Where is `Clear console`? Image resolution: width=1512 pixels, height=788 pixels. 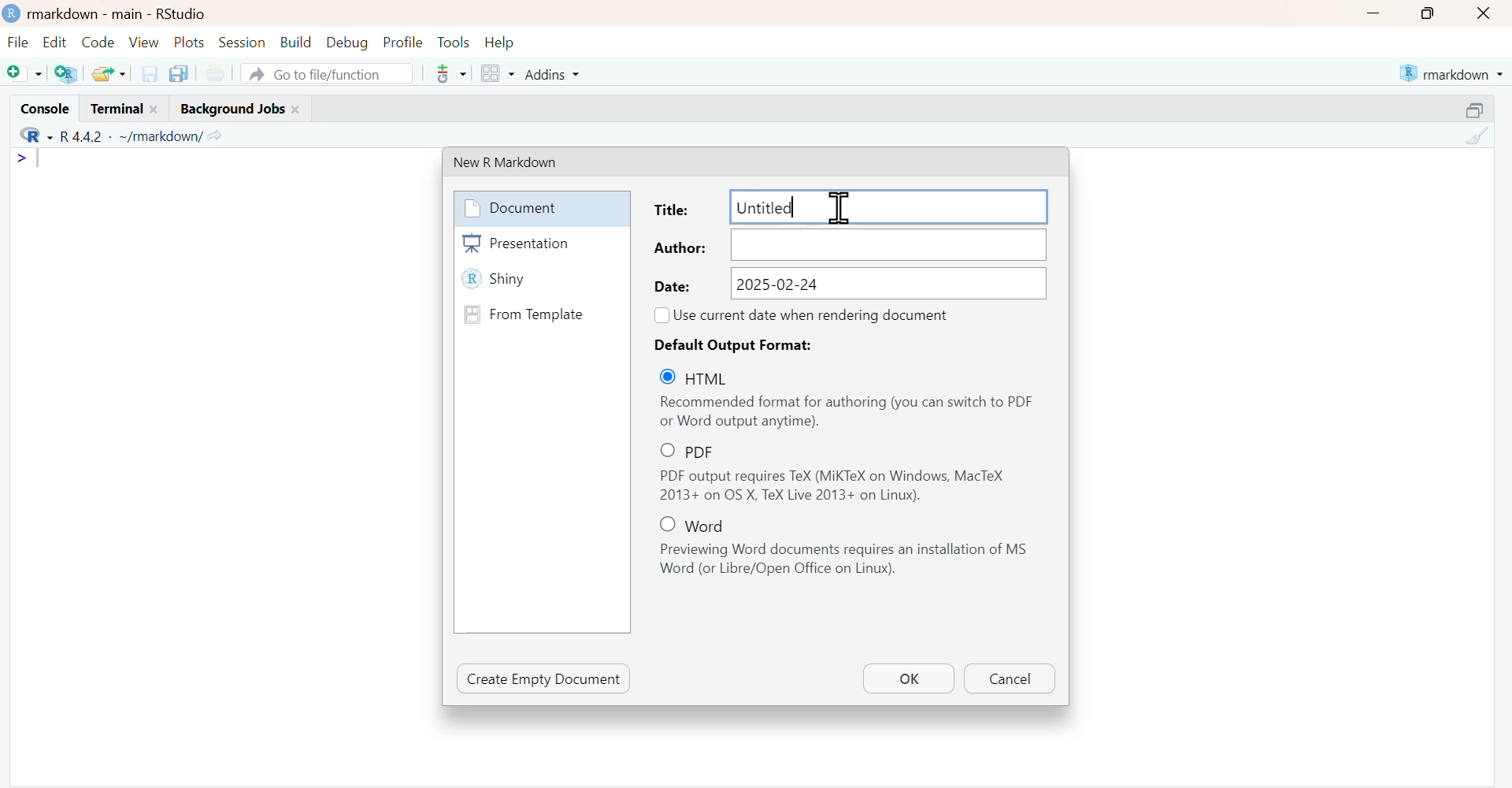 Clear console is located at coordinates (1476, 136).